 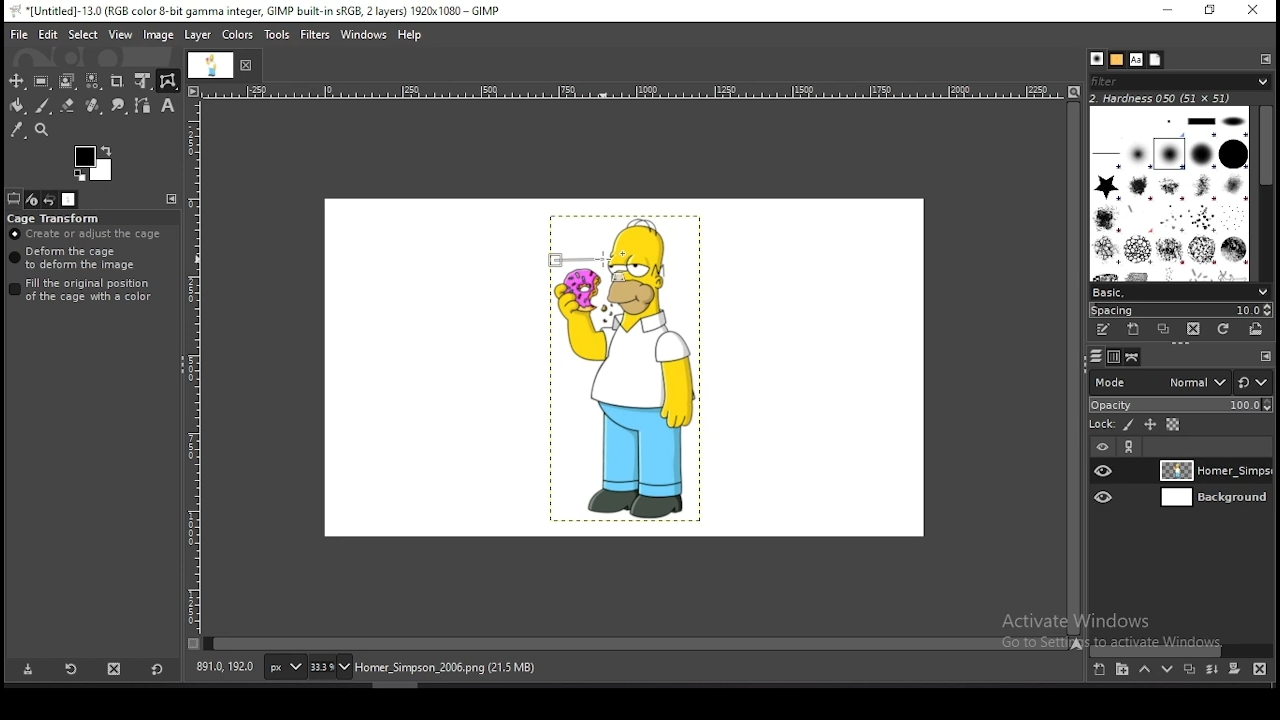 What do you see at coordinates (1072, 367) in the screenshot?
I see `scroll bar` at bounding box center [1072, 367].